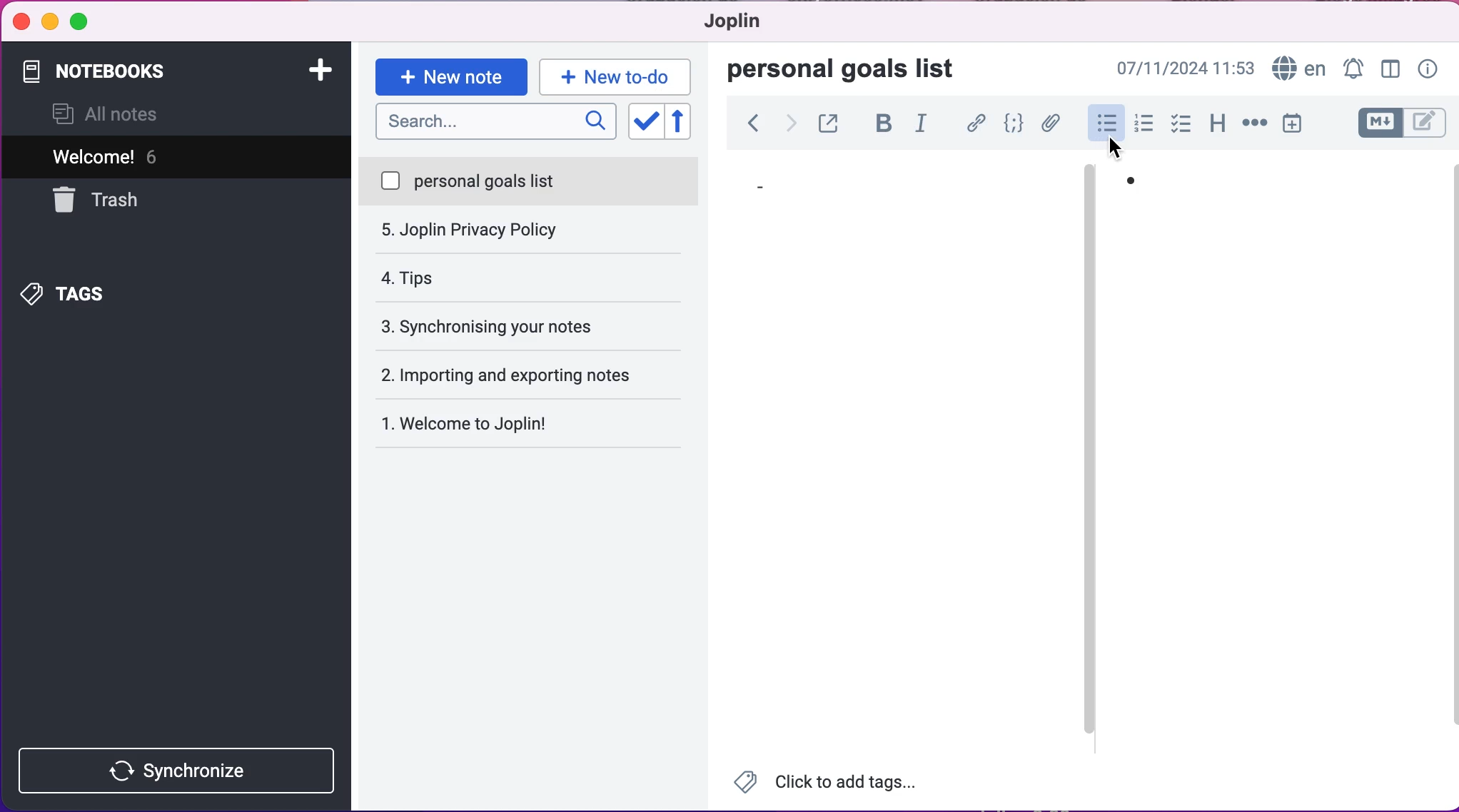  Describe the element at coordinates (924, 127) in the screenshot. I see `italic` at that location.